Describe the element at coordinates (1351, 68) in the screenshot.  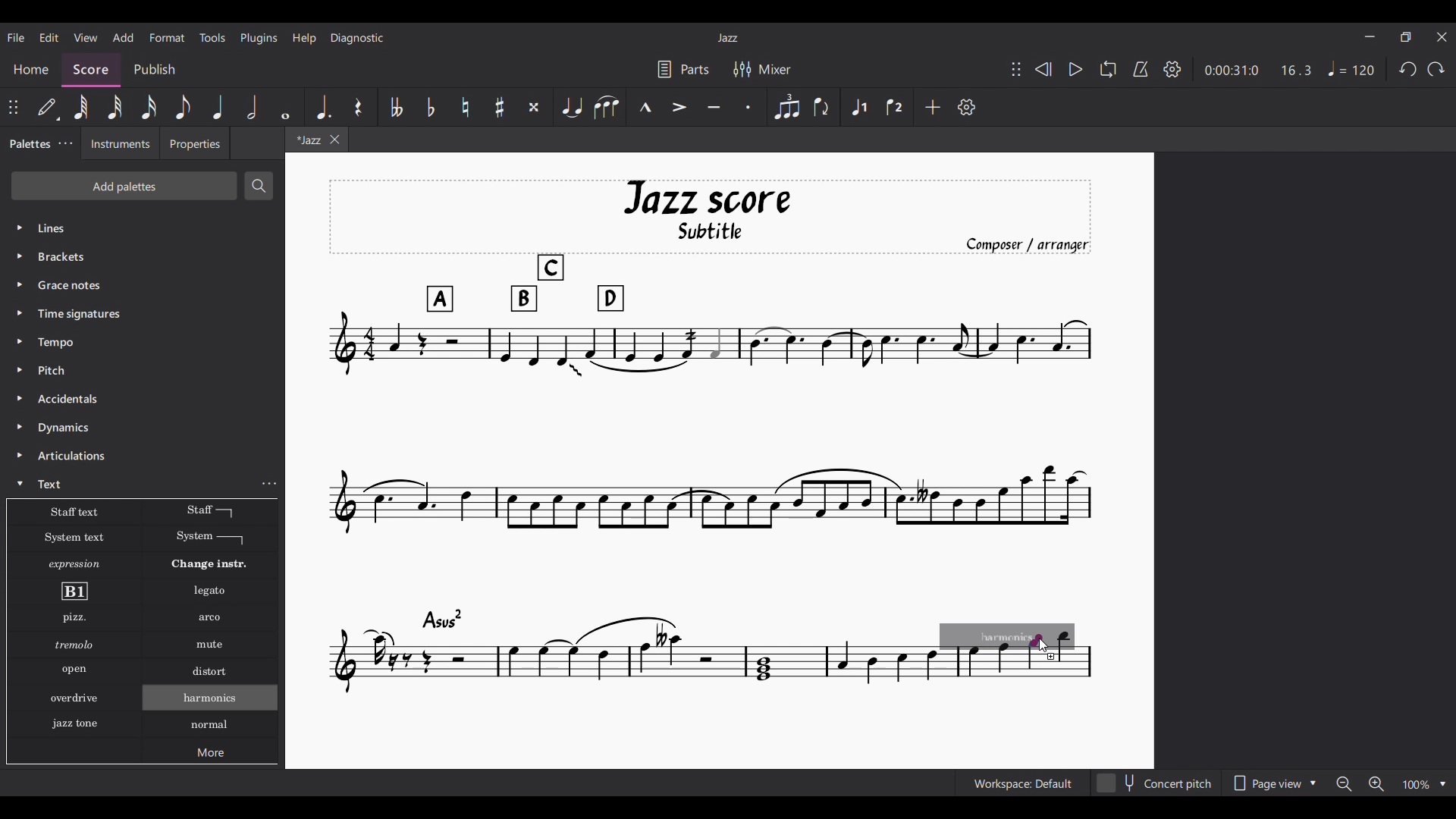
I see `Tempo` at that location.